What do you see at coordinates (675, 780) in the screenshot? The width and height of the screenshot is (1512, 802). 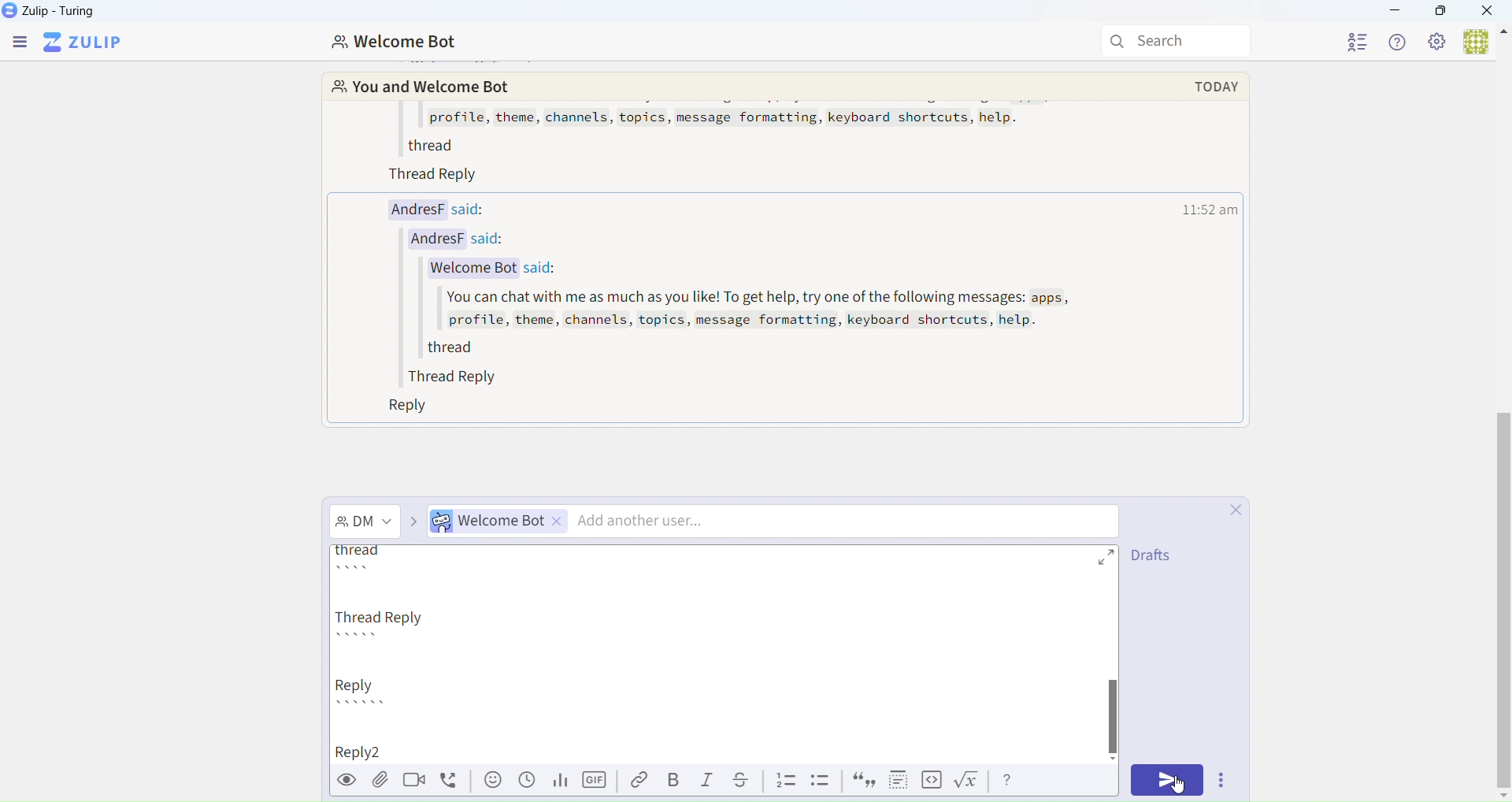 I see `Bold` at bounding box center [675, 780].